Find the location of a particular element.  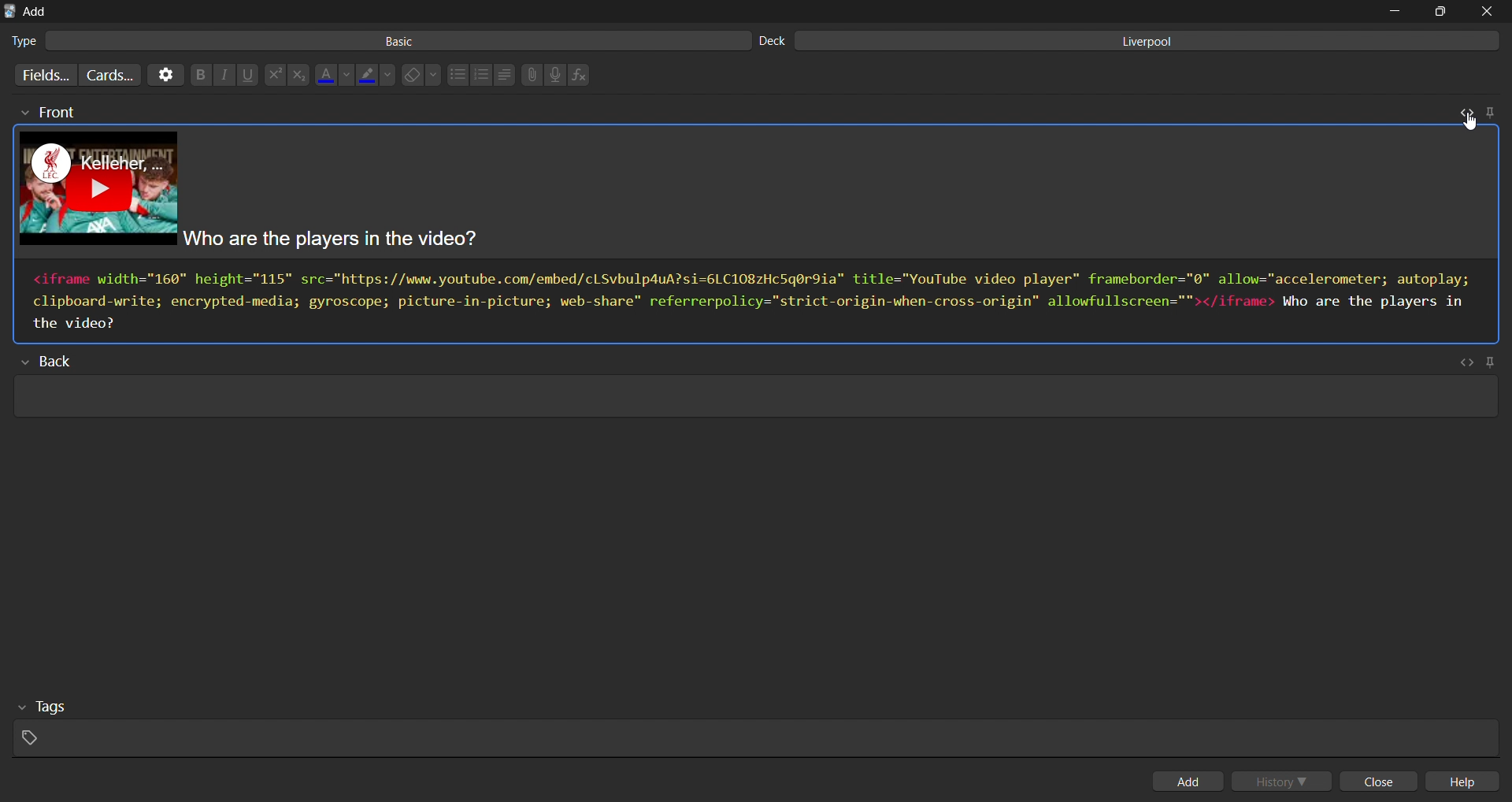

bold is located at coordinates (198, 76).